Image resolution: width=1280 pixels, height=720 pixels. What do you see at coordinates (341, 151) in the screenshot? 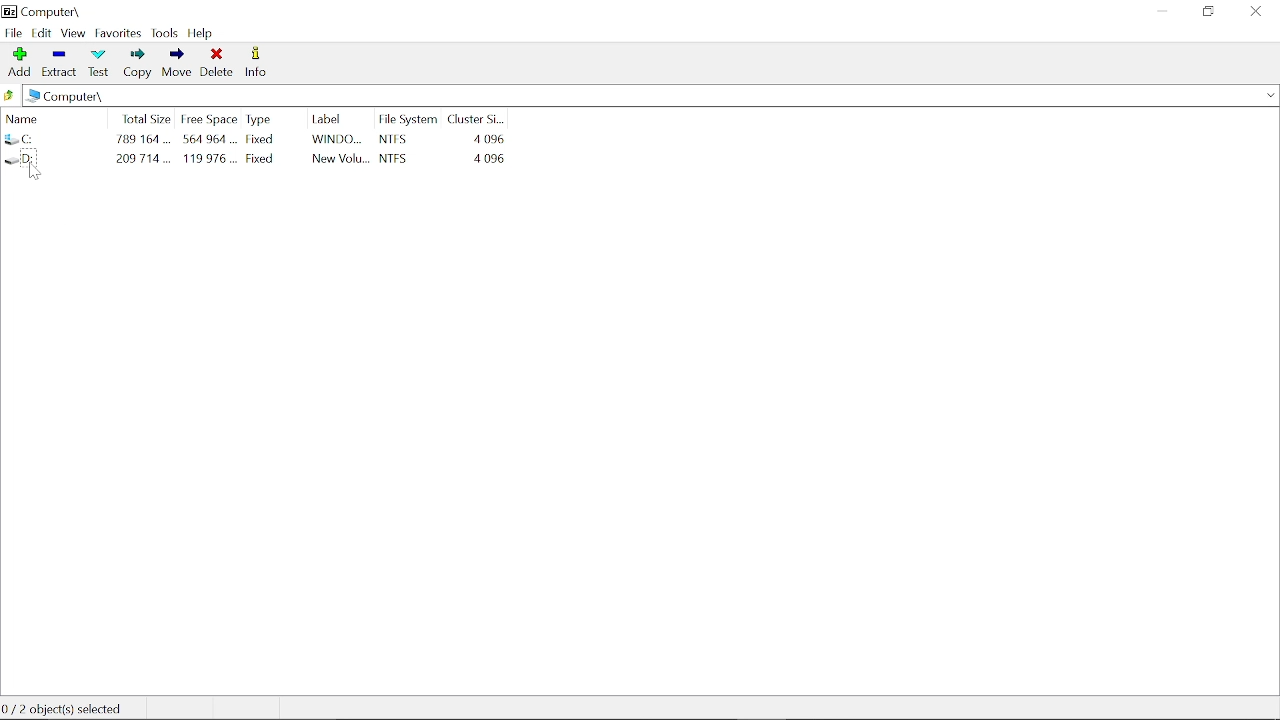
I see `WINDO... New Volu...` at bounding box center [341, 151].